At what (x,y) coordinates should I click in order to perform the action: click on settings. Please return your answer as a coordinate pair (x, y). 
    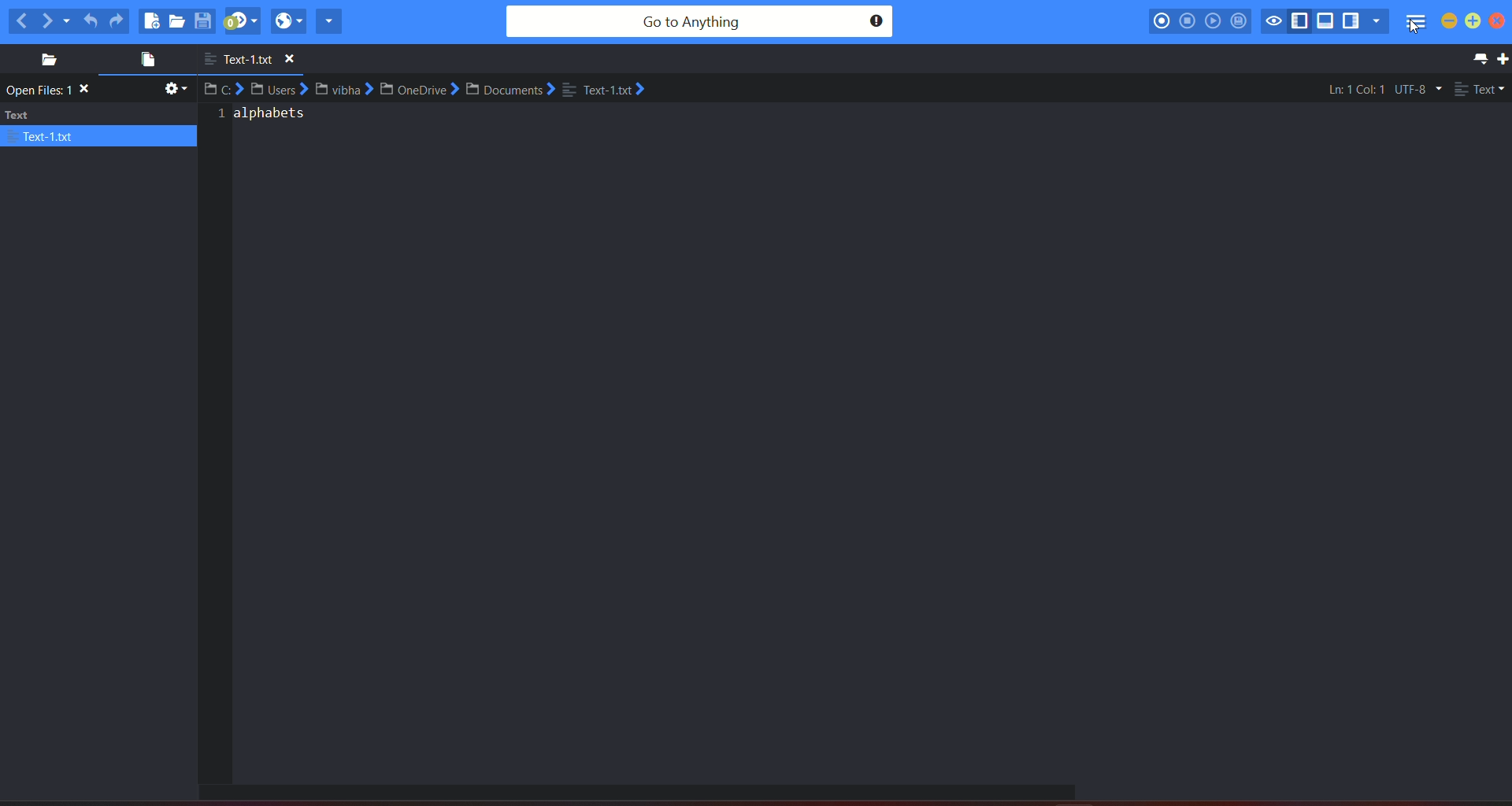
    Looking at the image, I should click on (173, 91).